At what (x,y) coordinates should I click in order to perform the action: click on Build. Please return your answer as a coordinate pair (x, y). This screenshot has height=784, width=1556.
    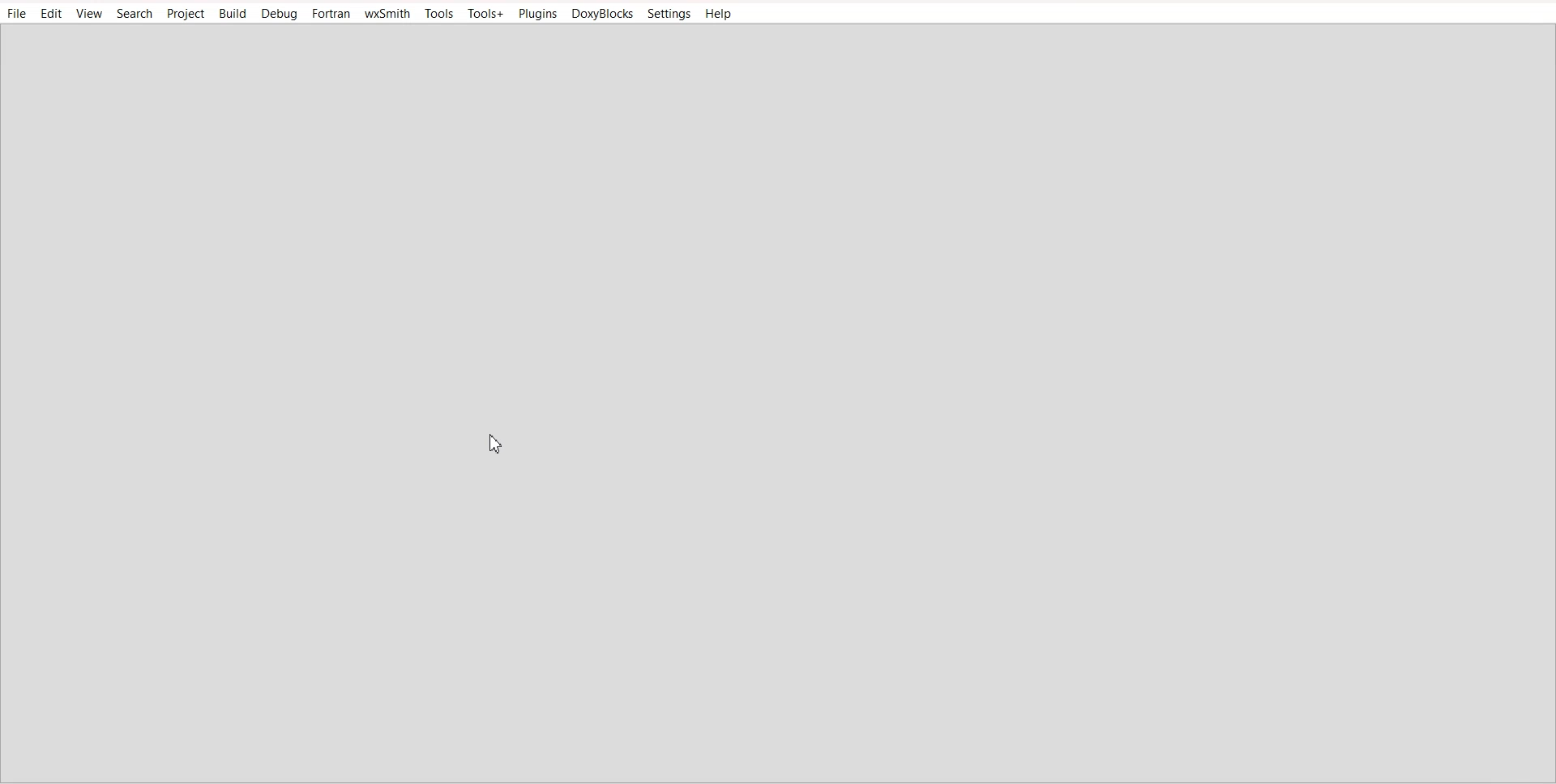
    Looking at the image, I should click on (233, 13).